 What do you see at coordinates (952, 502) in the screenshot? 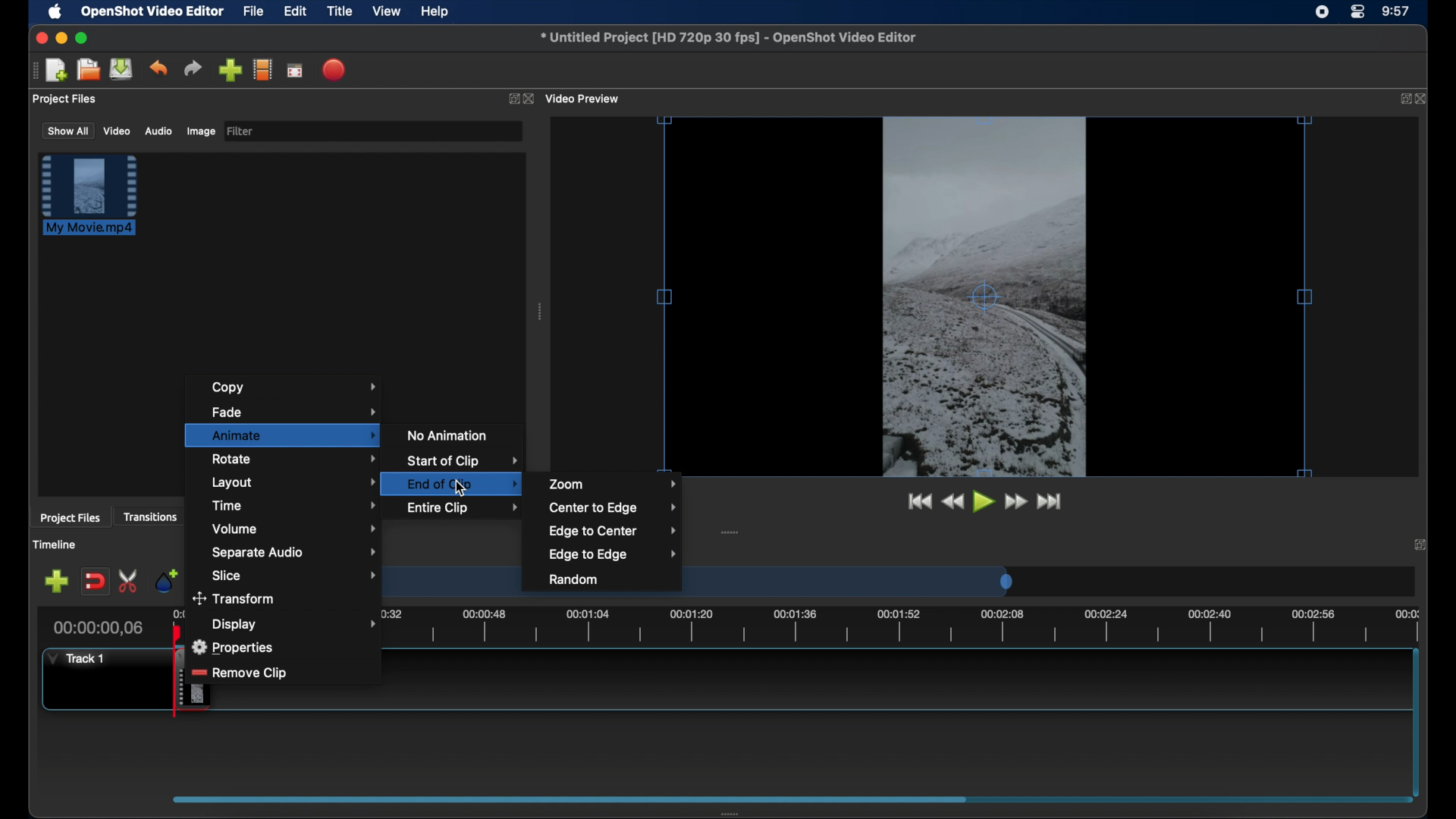
I see `rewind` at bounding box center [952, 502].